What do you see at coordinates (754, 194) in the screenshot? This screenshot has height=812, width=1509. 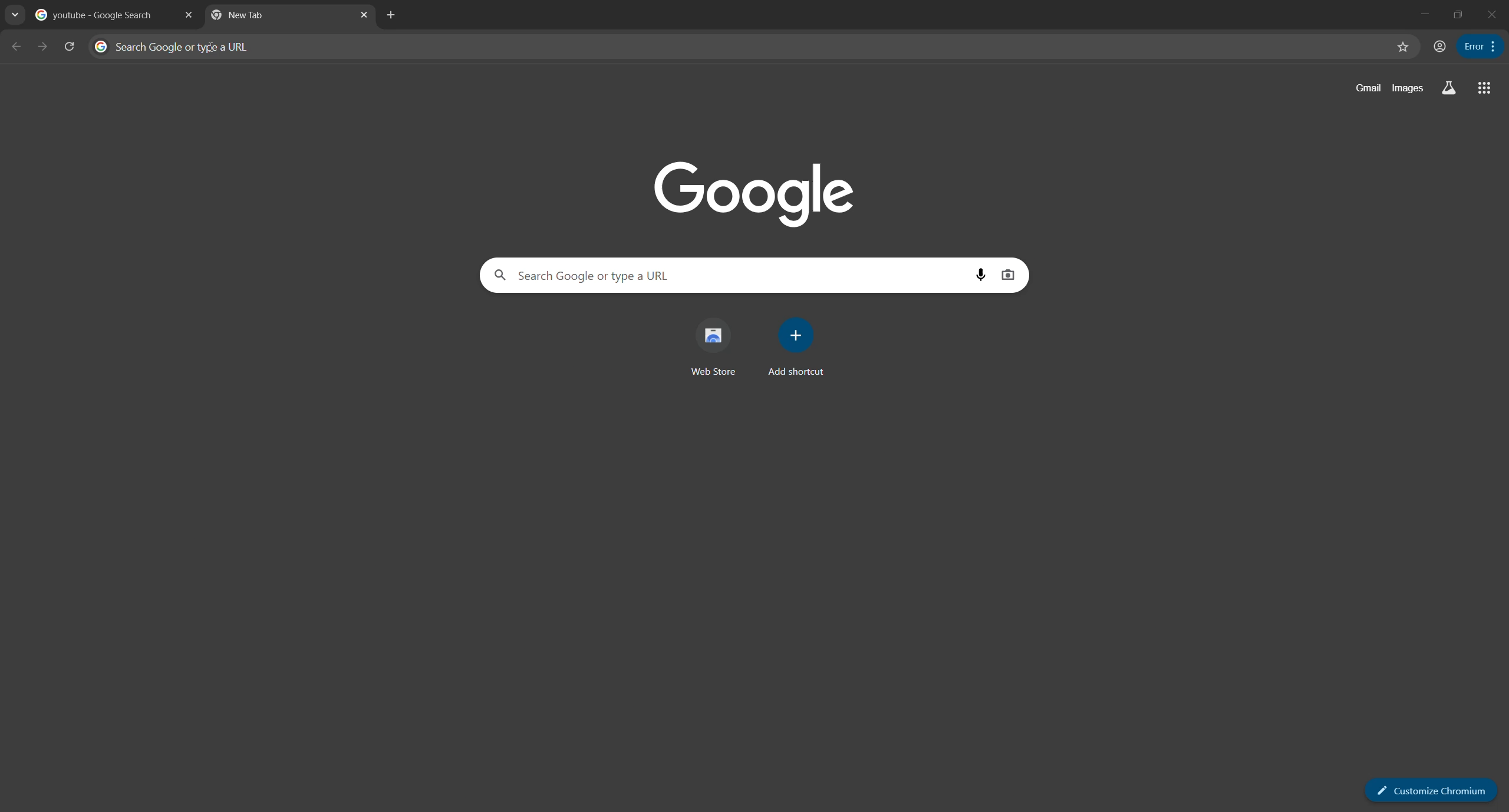 I see `google` at bounding box center [754, 194].